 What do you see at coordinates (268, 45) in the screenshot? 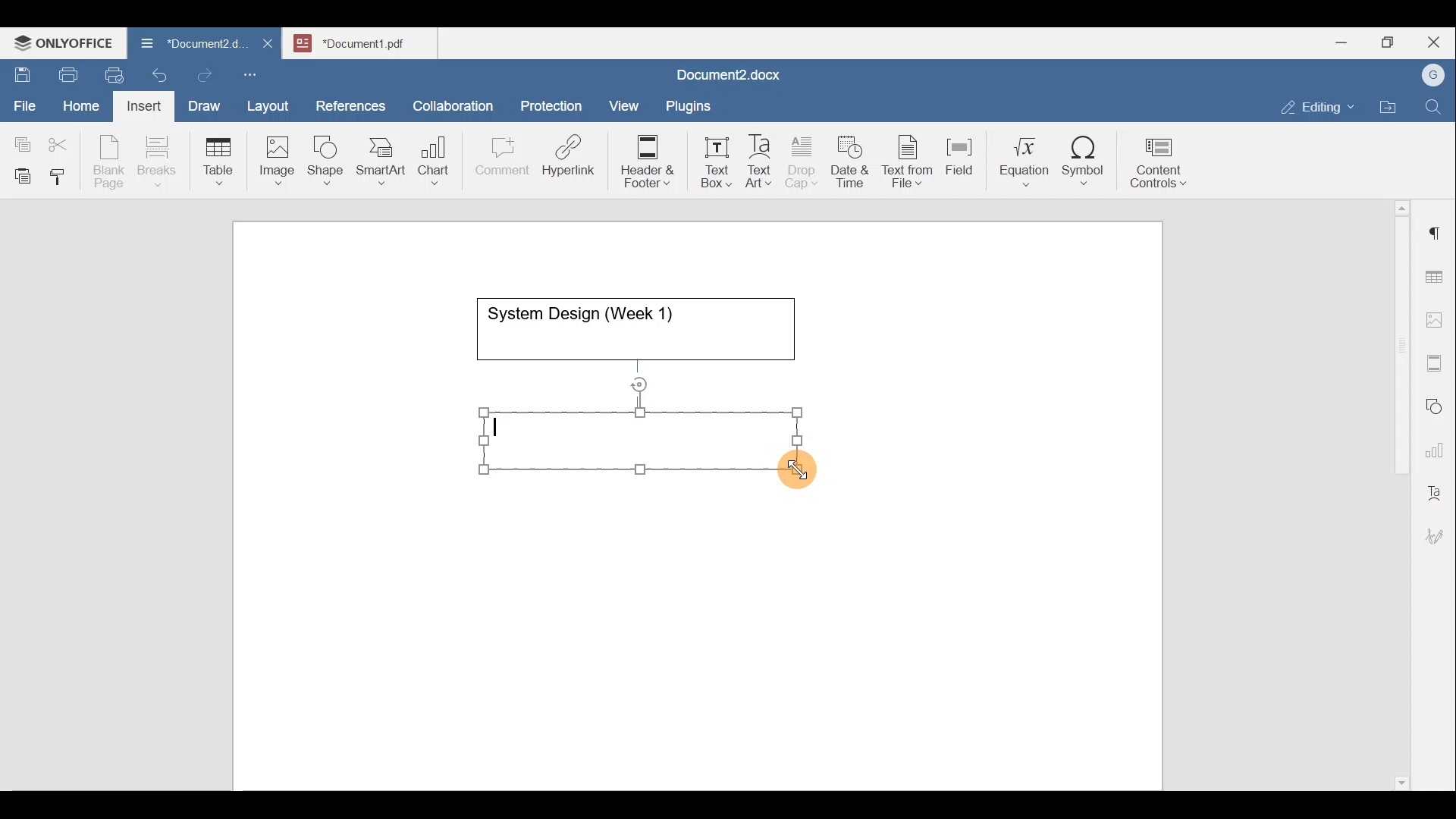
I see `Close document` at bounding box center [268, 45].